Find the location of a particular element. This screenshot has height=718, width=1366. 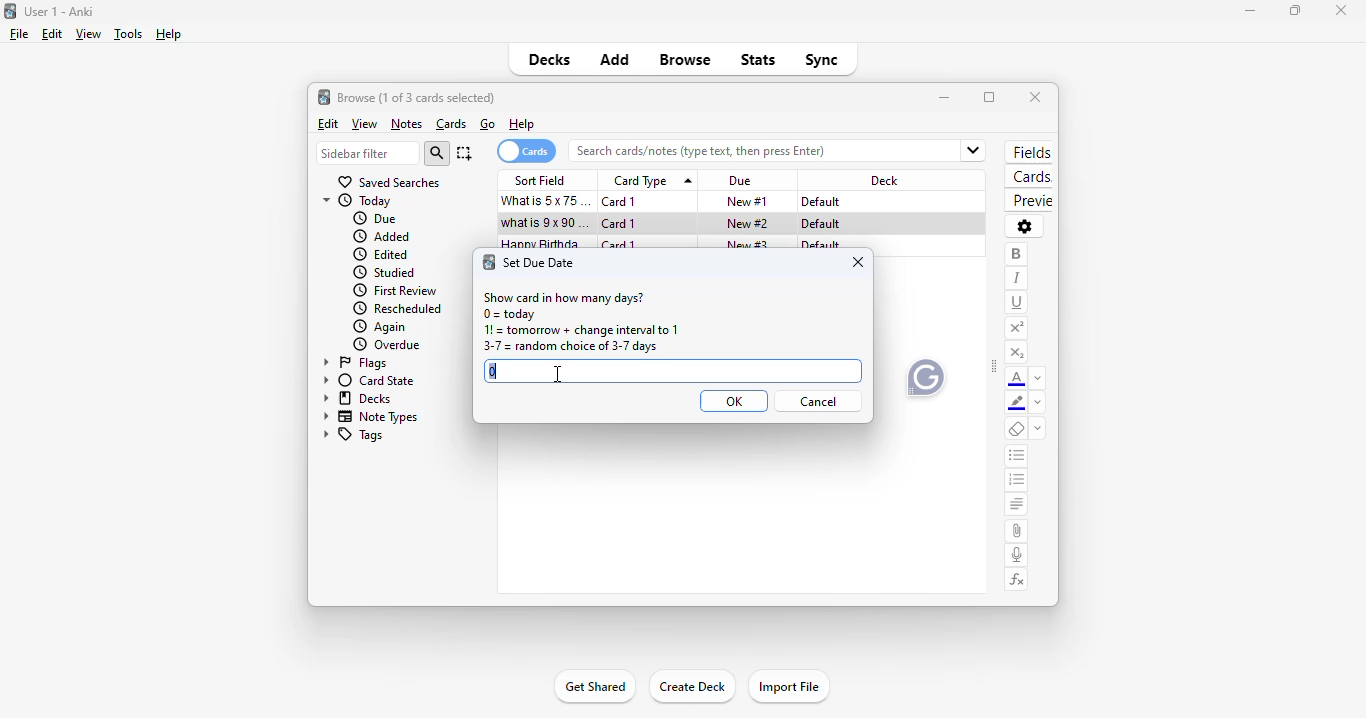

new #1 is located at coordinates (748, 202).